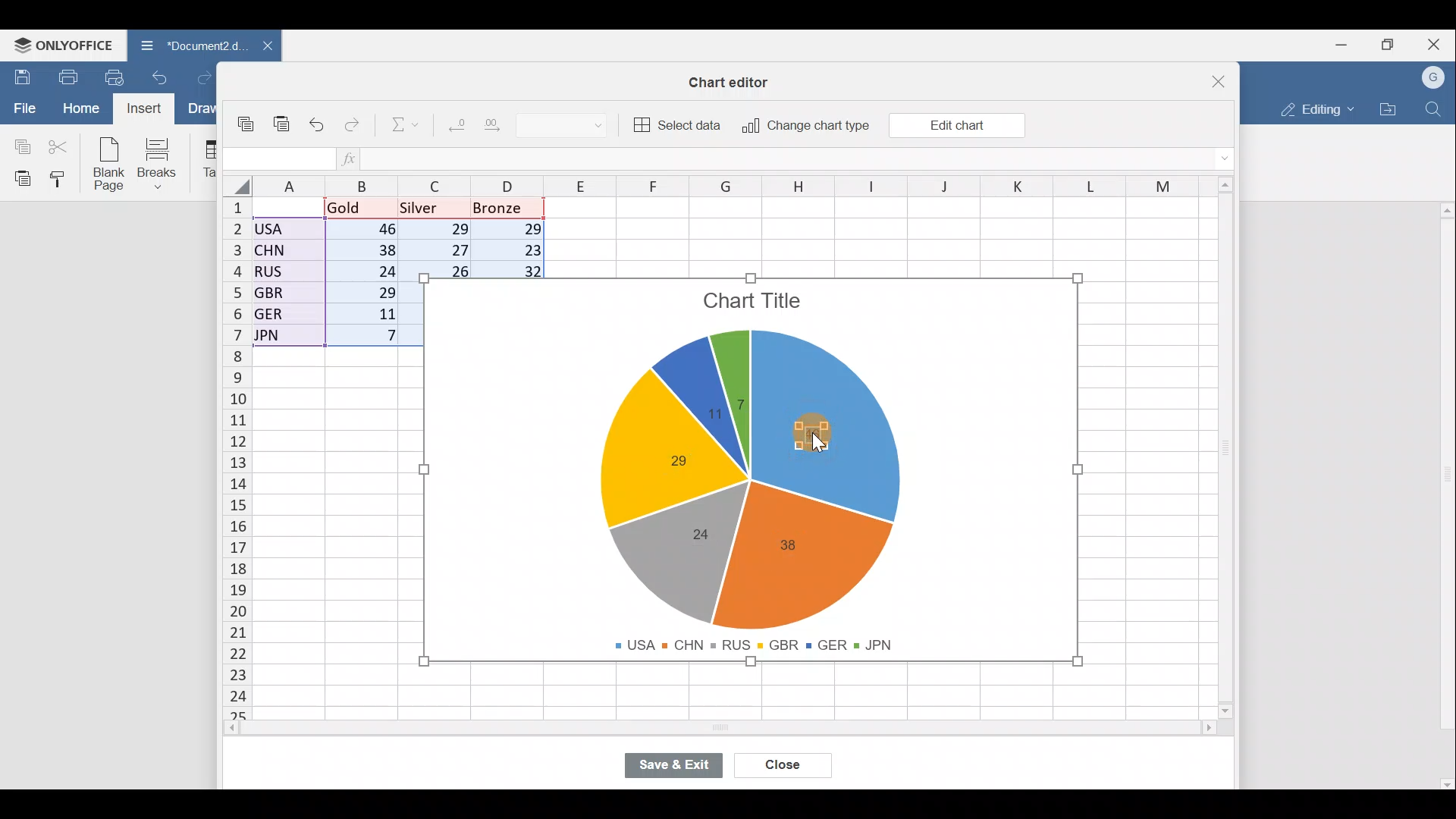  What do you see at coordinates (59, 146) in the screenshot?
I see `Cut` at bounding box center [59, 146].